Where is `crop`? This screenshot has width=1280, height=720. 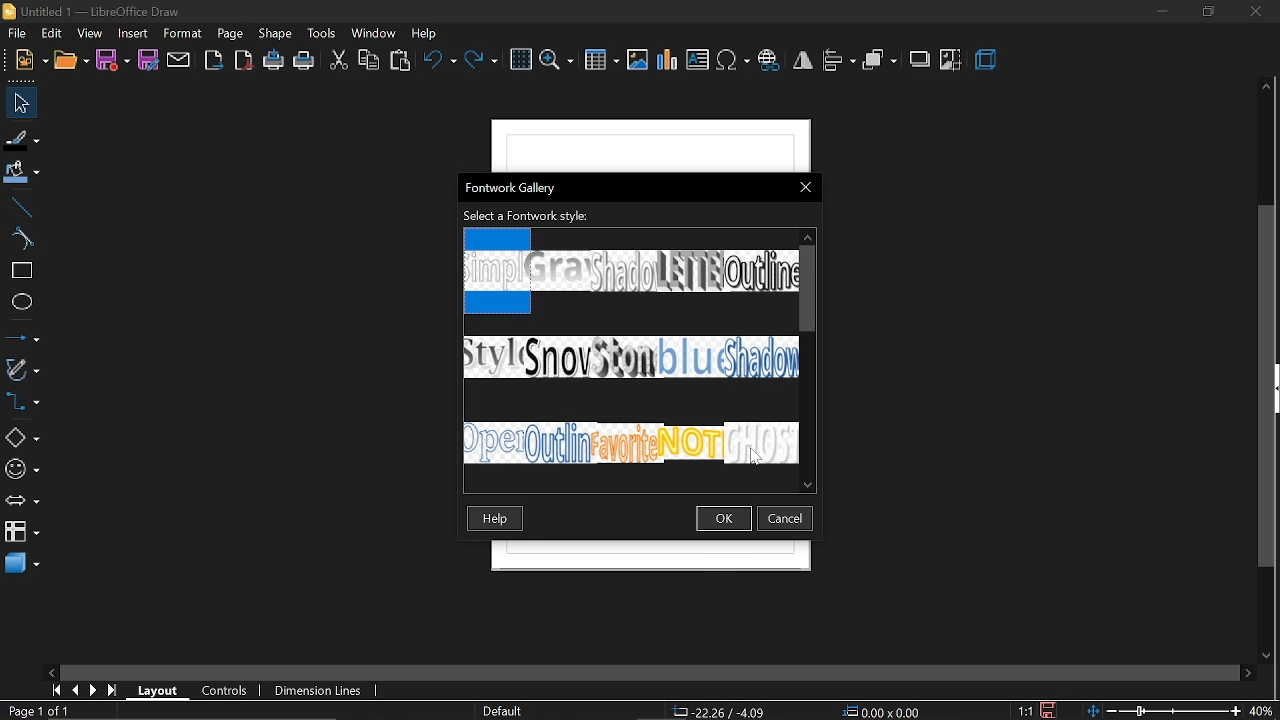
crop is located at coordinates (950, 61).